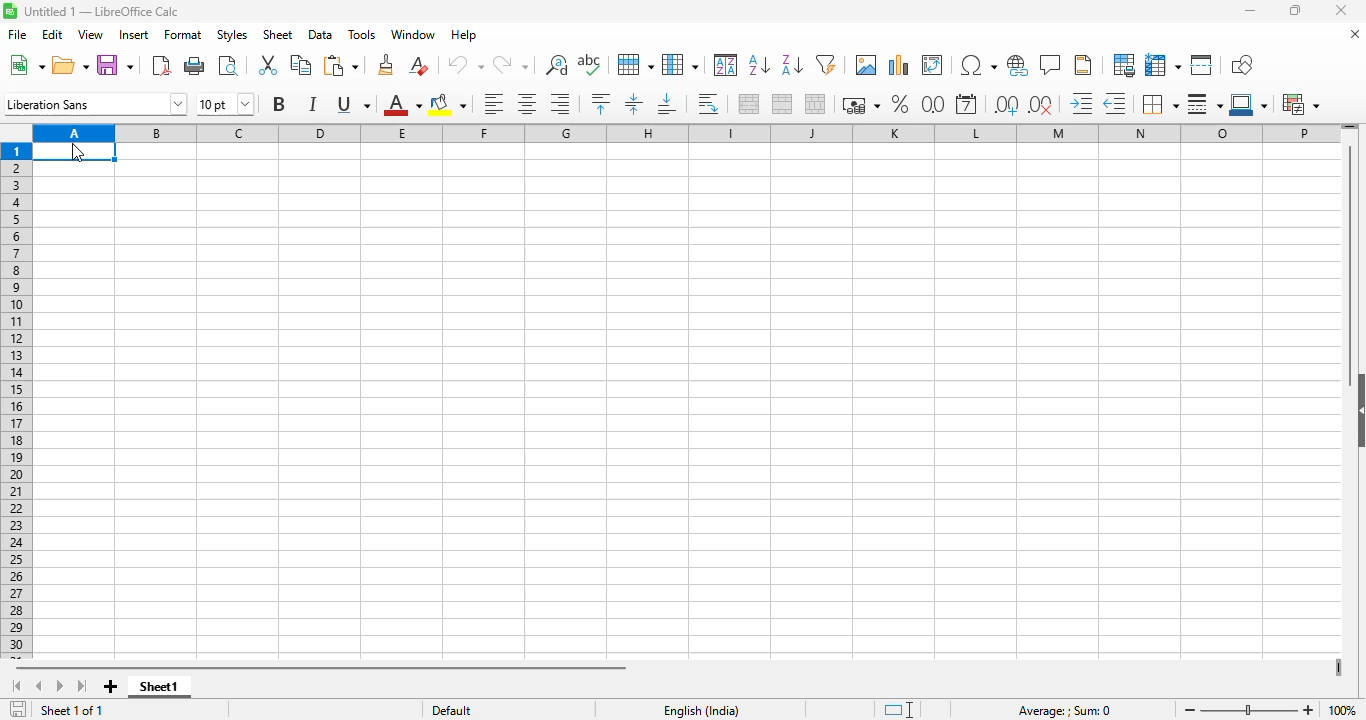 The height and width of the screenshot is (720, 1366). Describe the element at coordinates (1201, 65) in the screenshot. I see `split window` at that location.